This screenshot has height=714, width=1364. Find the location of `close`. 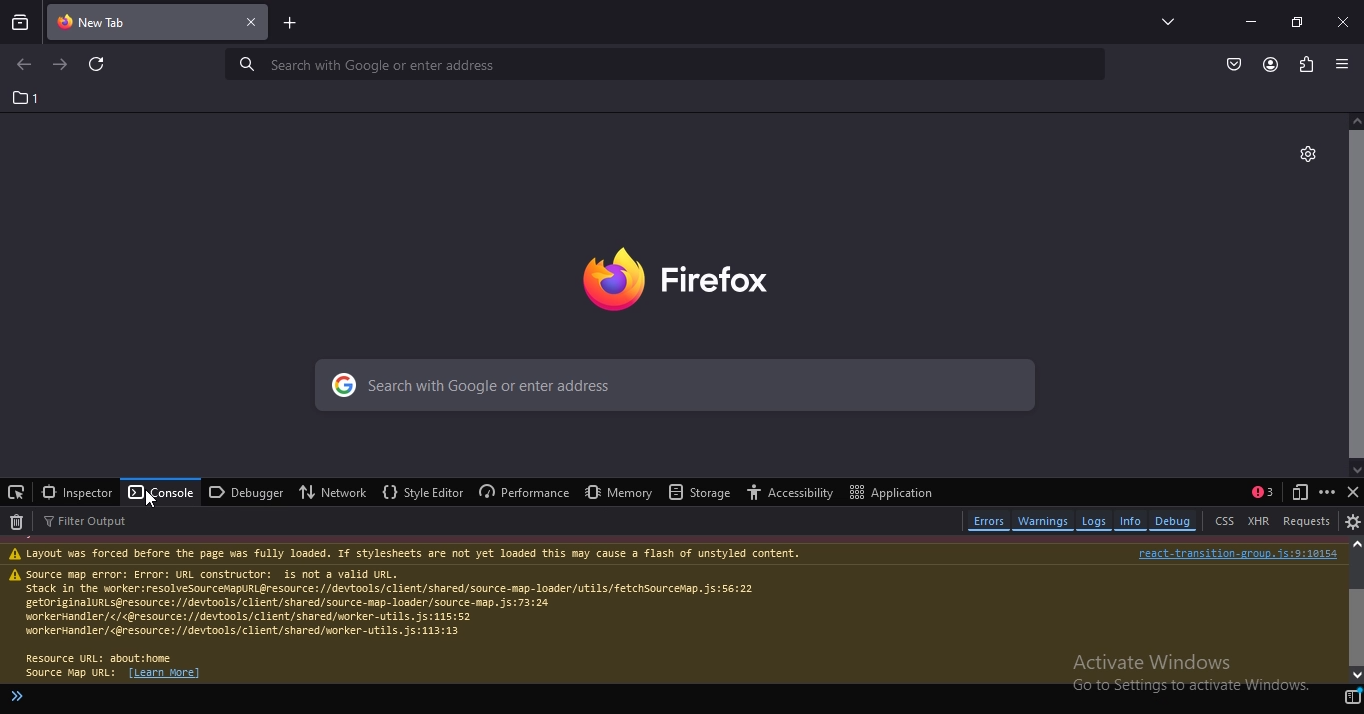

close is located at coordinates (1344, 21).